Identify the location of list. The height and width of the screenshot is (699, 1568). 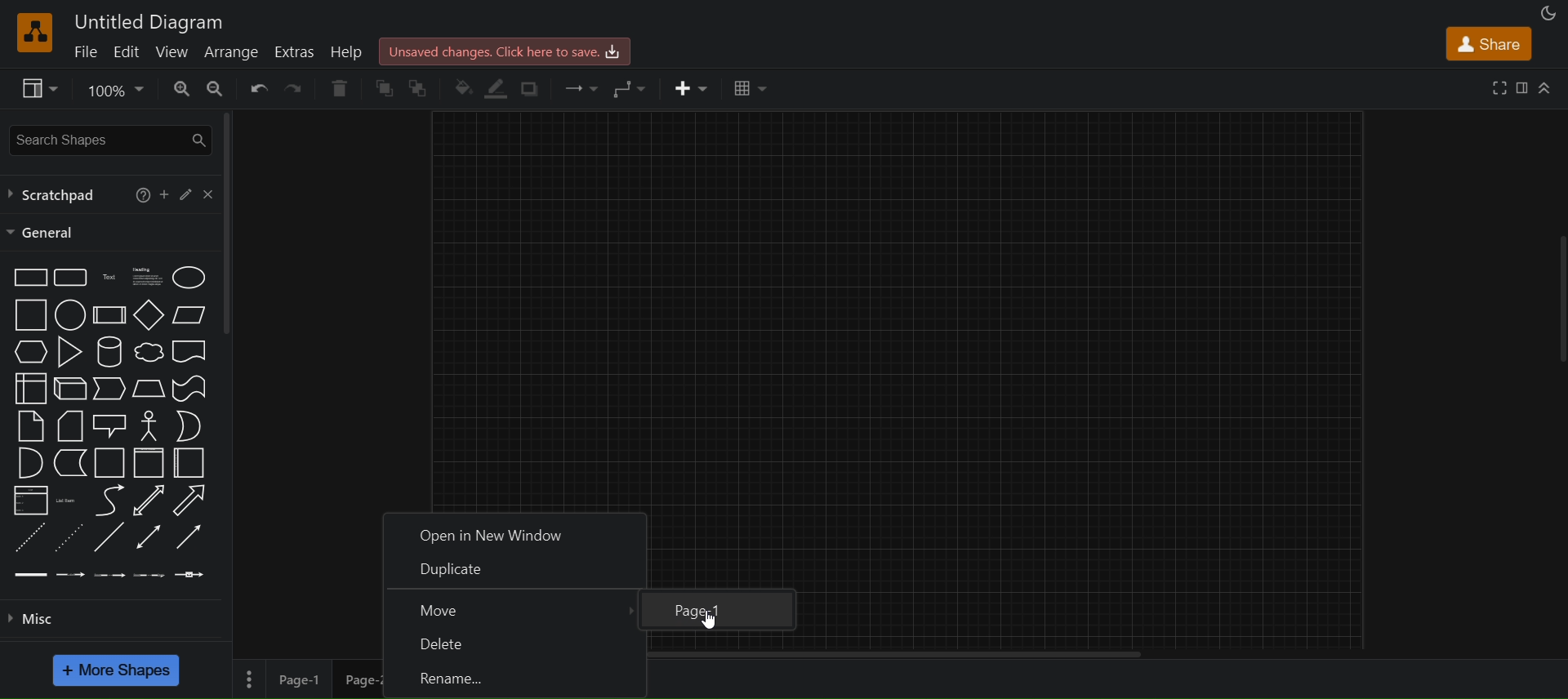
(29, 499).